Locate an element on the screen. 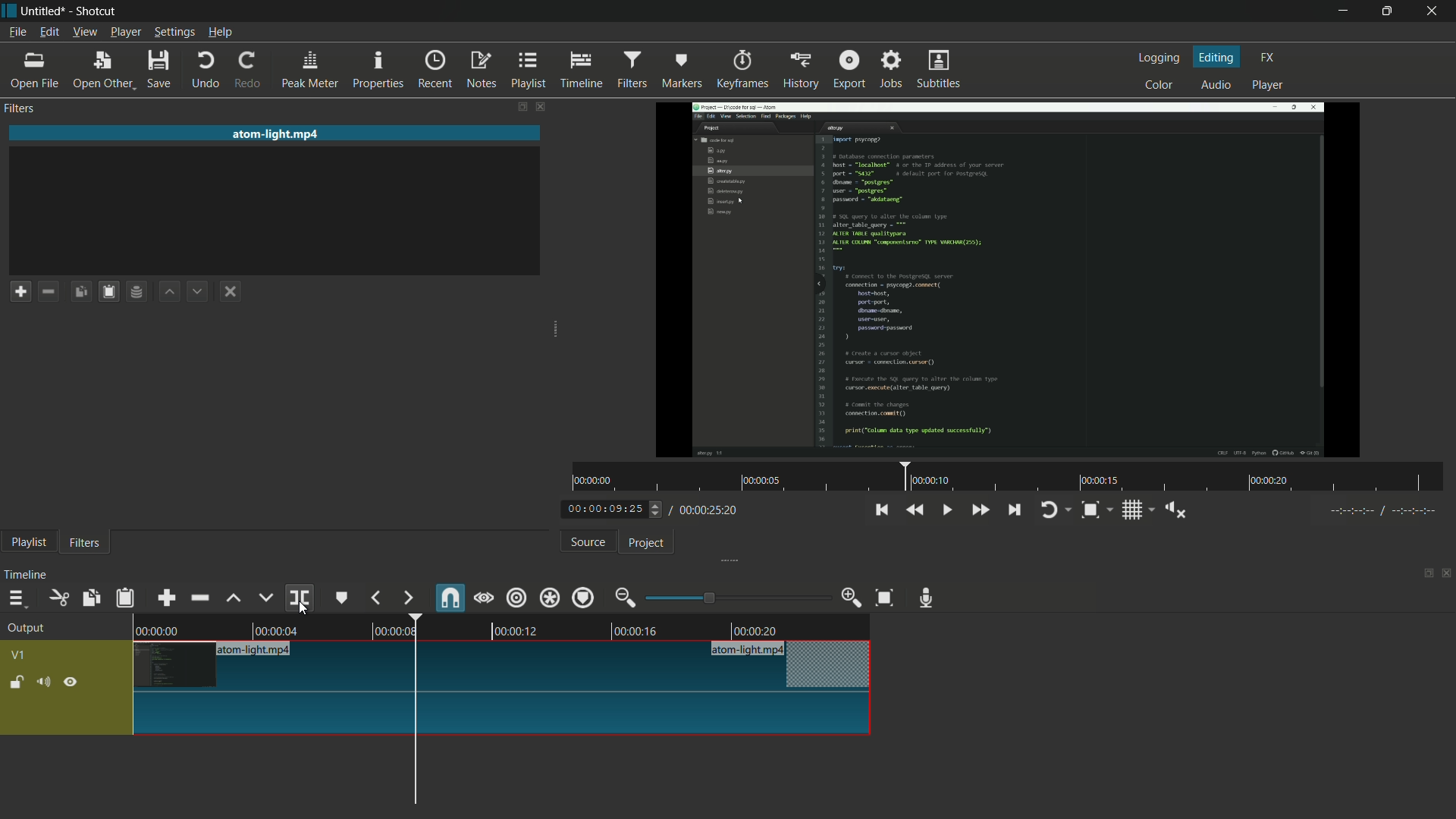  copy checked filters is located at coordinates (93, 598).